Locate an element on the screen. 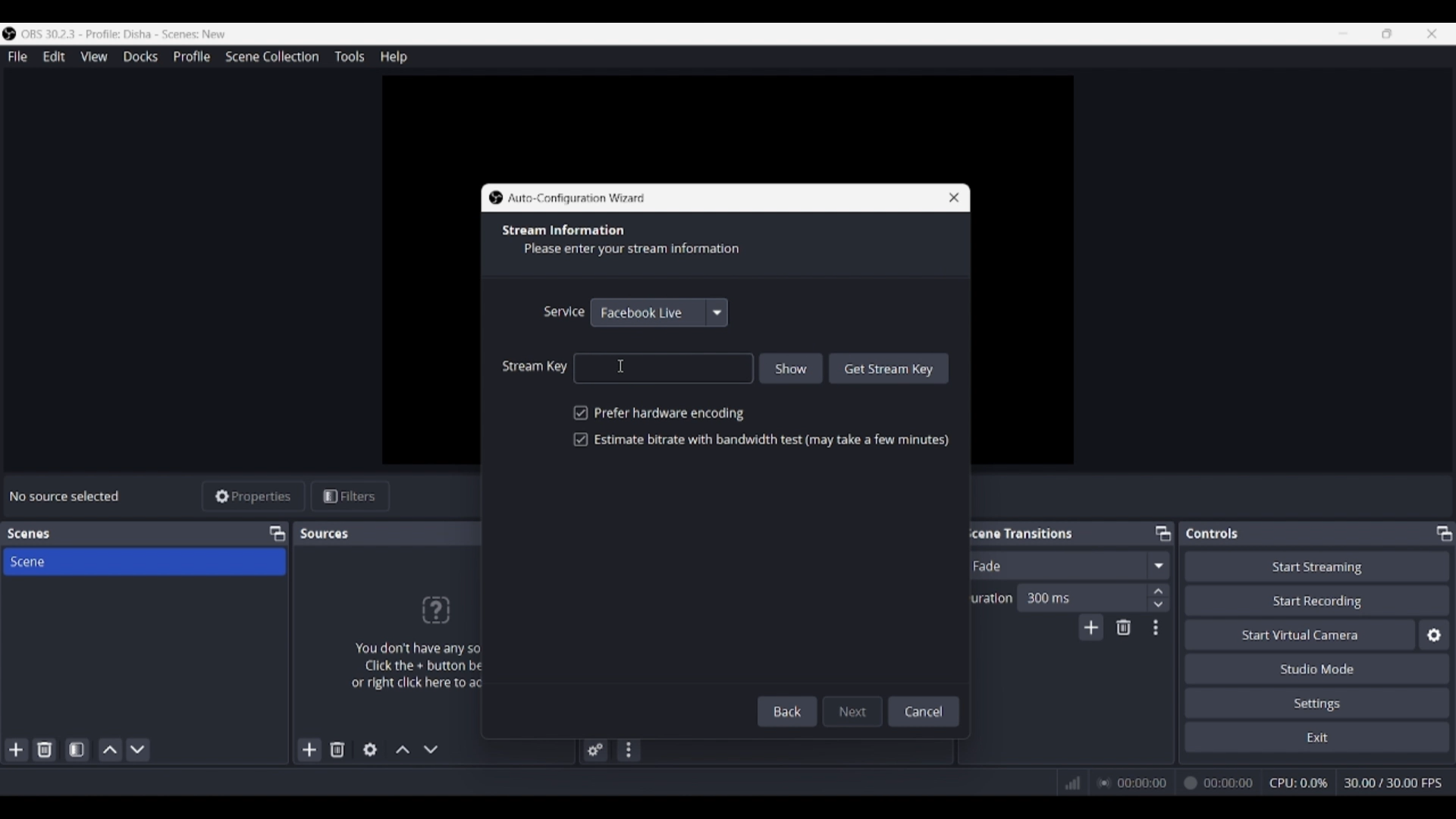 This screenshot has height=819, width=1456. Software and project name is located at coordinates (130, 34).